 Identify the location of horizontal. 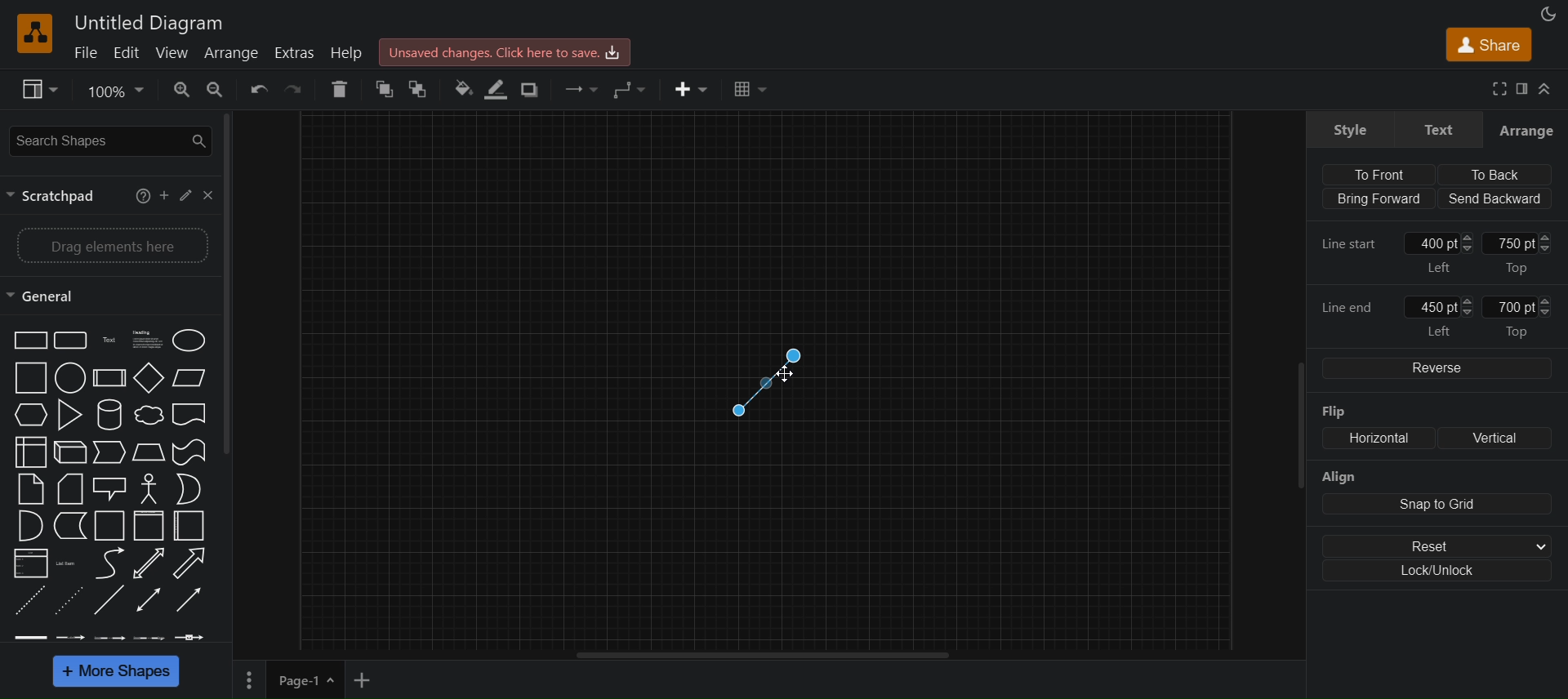
(1374, 439).